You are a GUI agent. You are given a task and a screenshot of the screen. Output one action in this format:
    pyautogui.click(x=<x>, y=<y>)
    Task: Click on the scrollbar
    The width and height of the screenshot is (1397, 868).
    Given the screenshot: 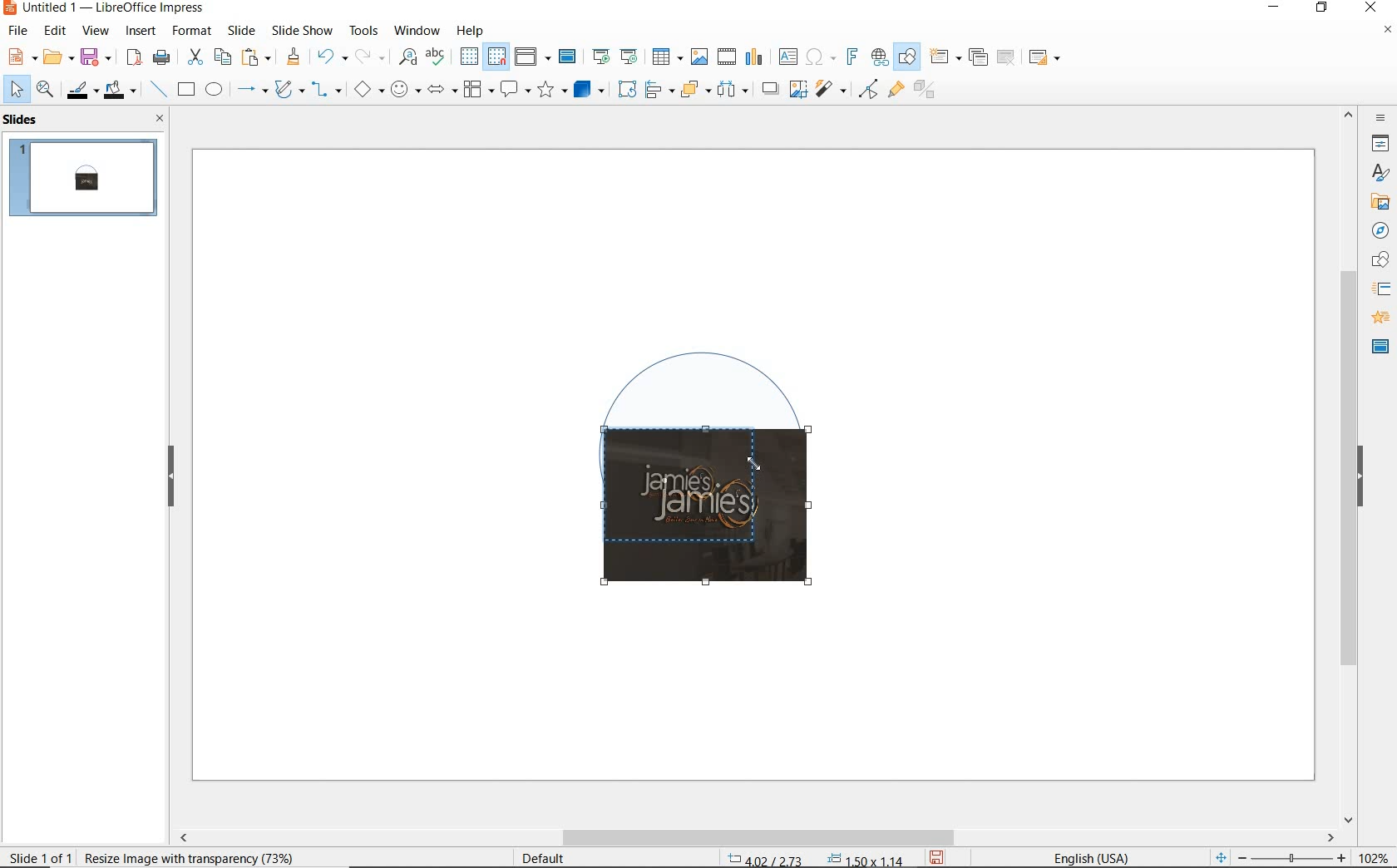 What is the action you would take?
    pyautogui.click(x=755, y=837)
    